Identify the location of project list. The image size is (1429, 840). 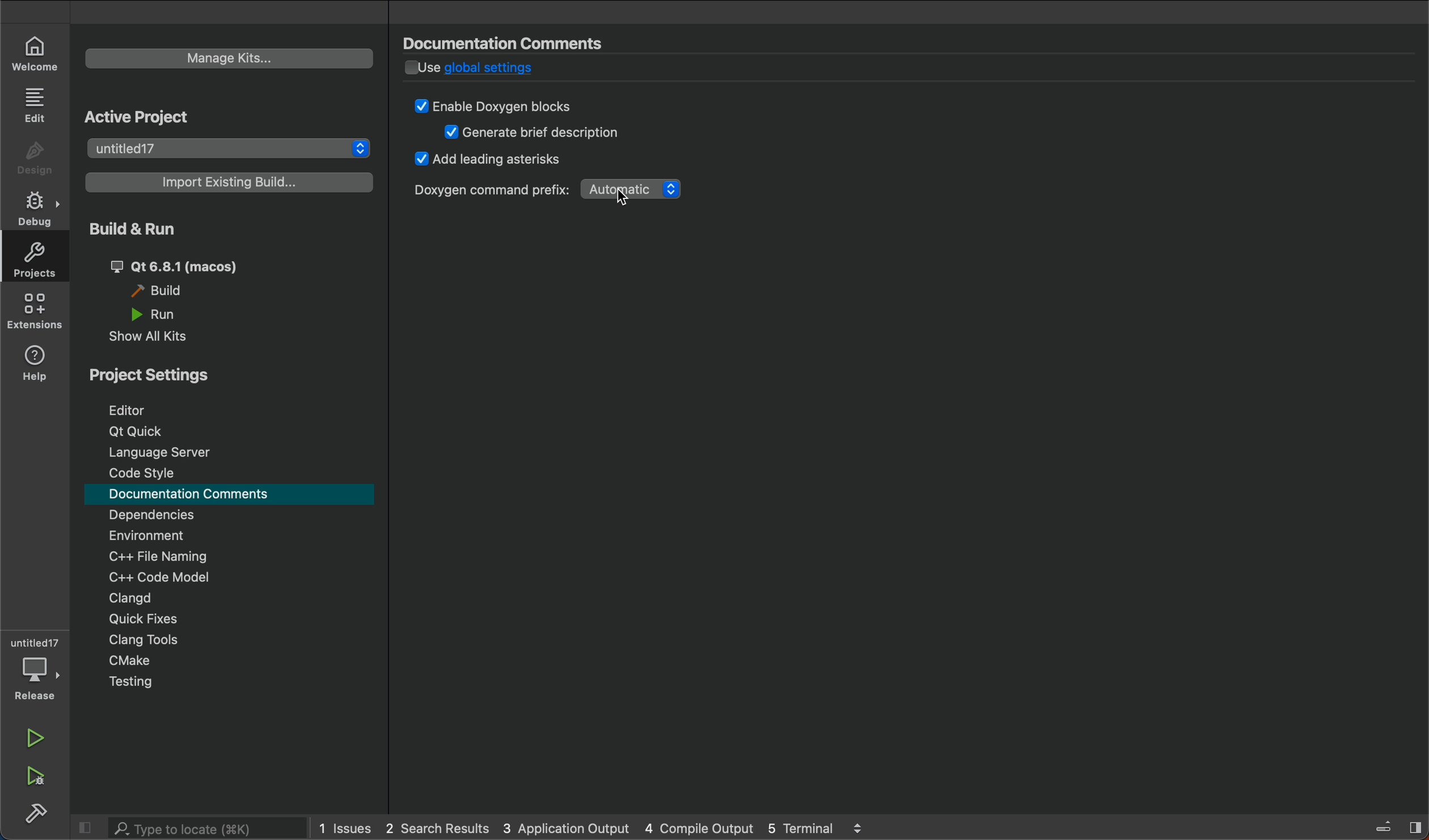
(228, 146).